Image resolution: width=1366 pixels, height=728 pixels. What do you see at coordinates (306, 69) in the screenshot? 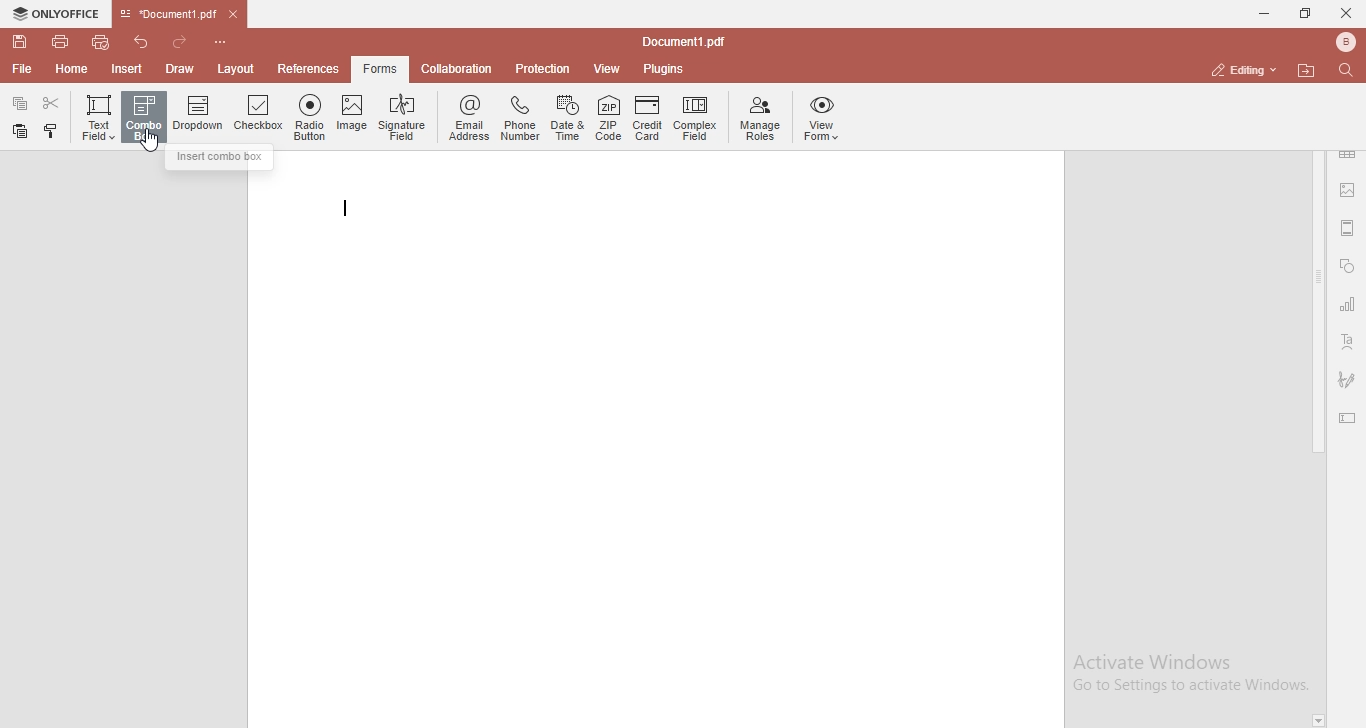
I see `References` at bounding box center [306, 69].